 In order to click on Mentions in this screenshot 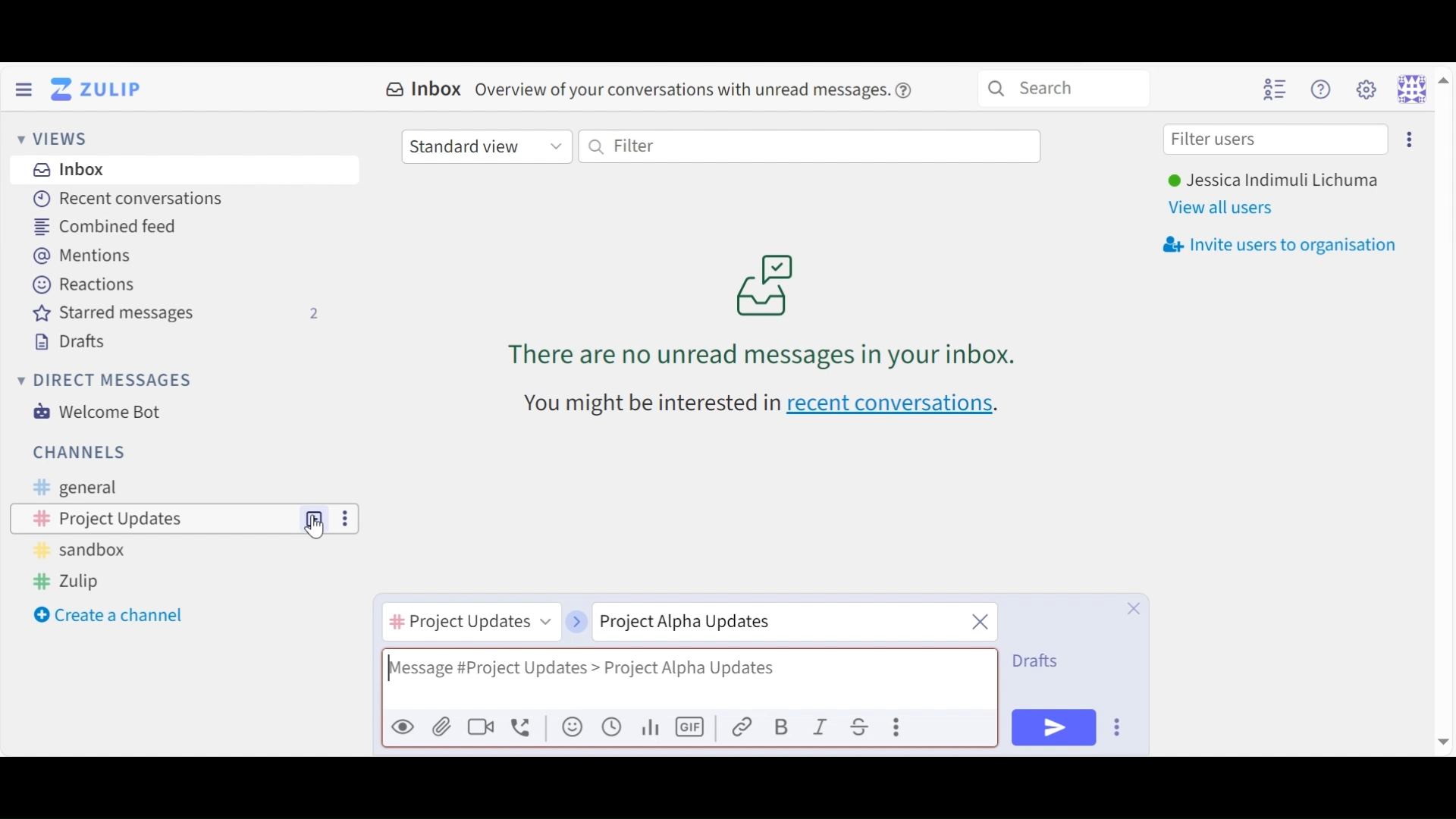, I will do `click(83, 255)`.